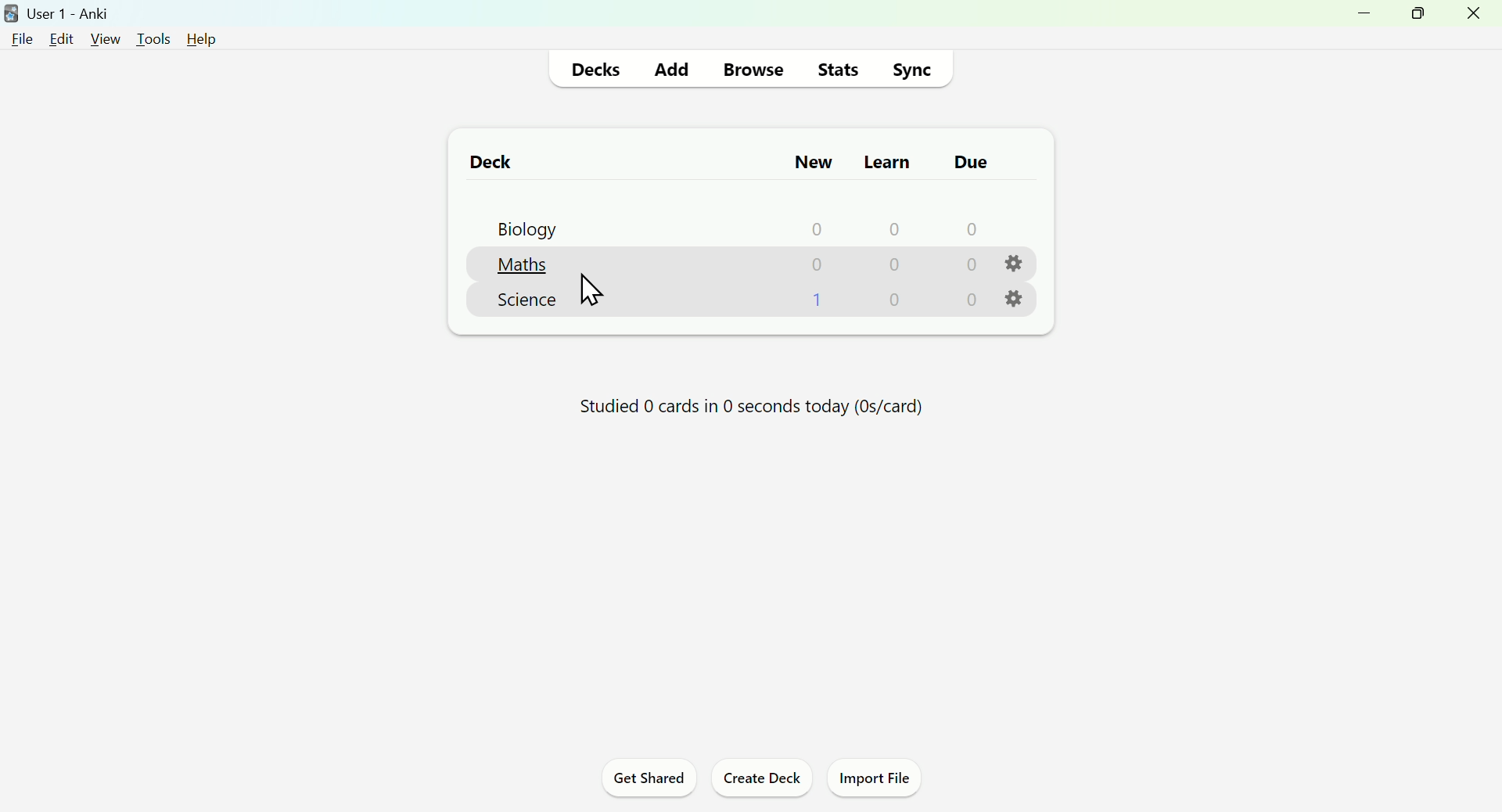  Describe the element at coordinates (1474, 16) in the screenshot. I see `close` at that location.